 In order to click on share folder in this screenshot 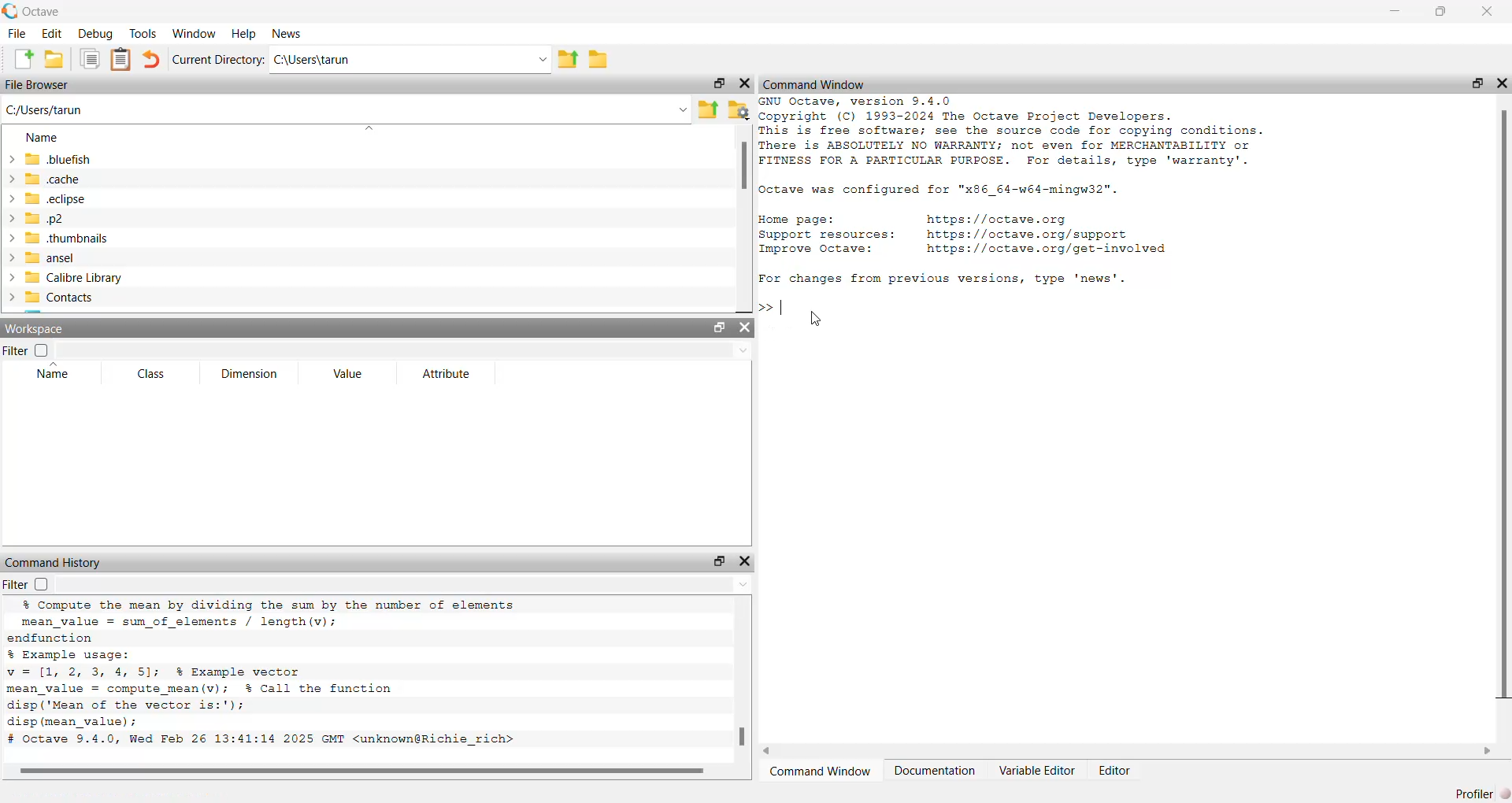, I will do `click(708, 110)`.